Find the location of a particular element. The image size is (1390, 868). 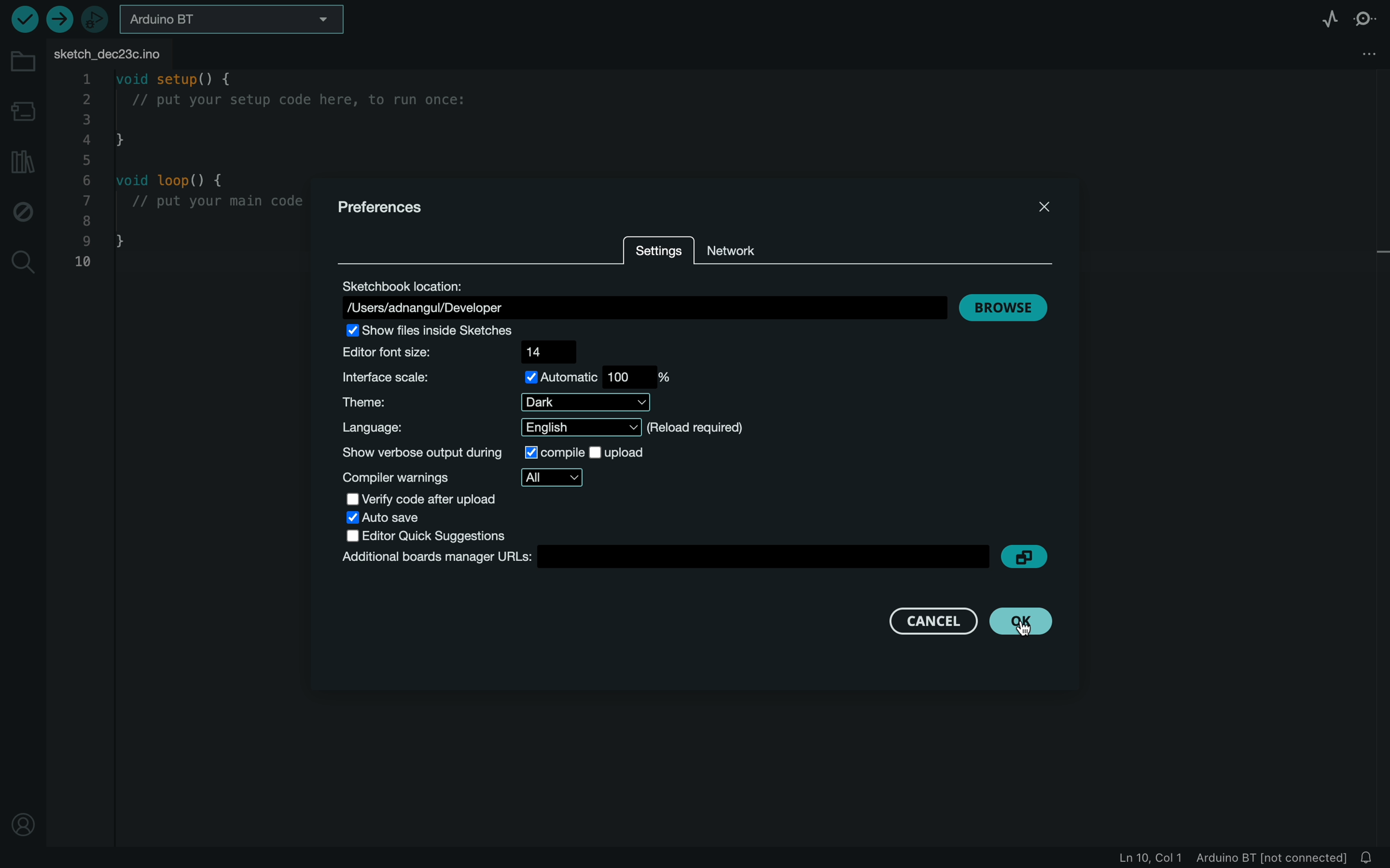

profile is located at coordinates (26, 823).